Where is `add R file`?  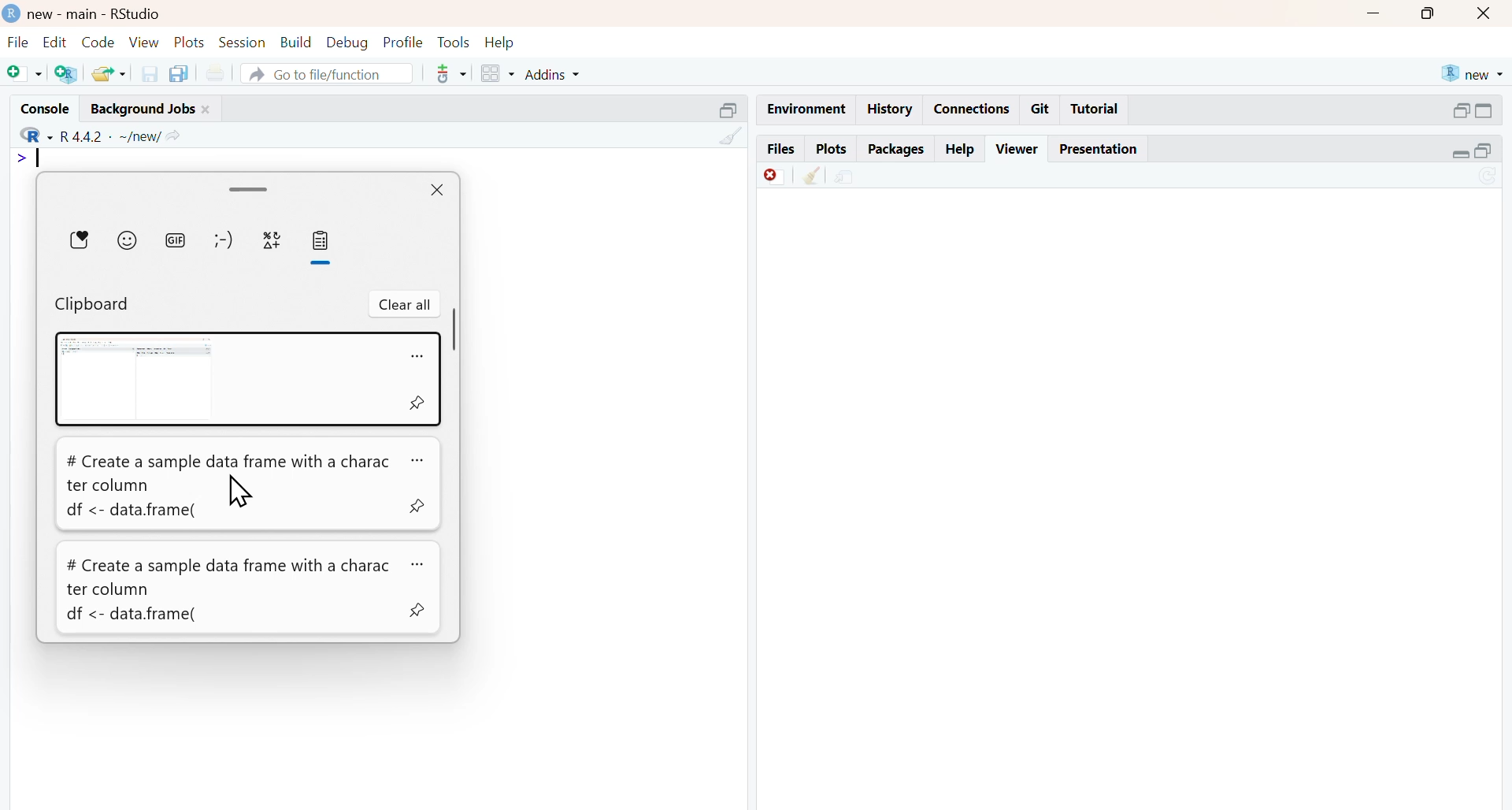
add R file is located at coordinates (66, 74).